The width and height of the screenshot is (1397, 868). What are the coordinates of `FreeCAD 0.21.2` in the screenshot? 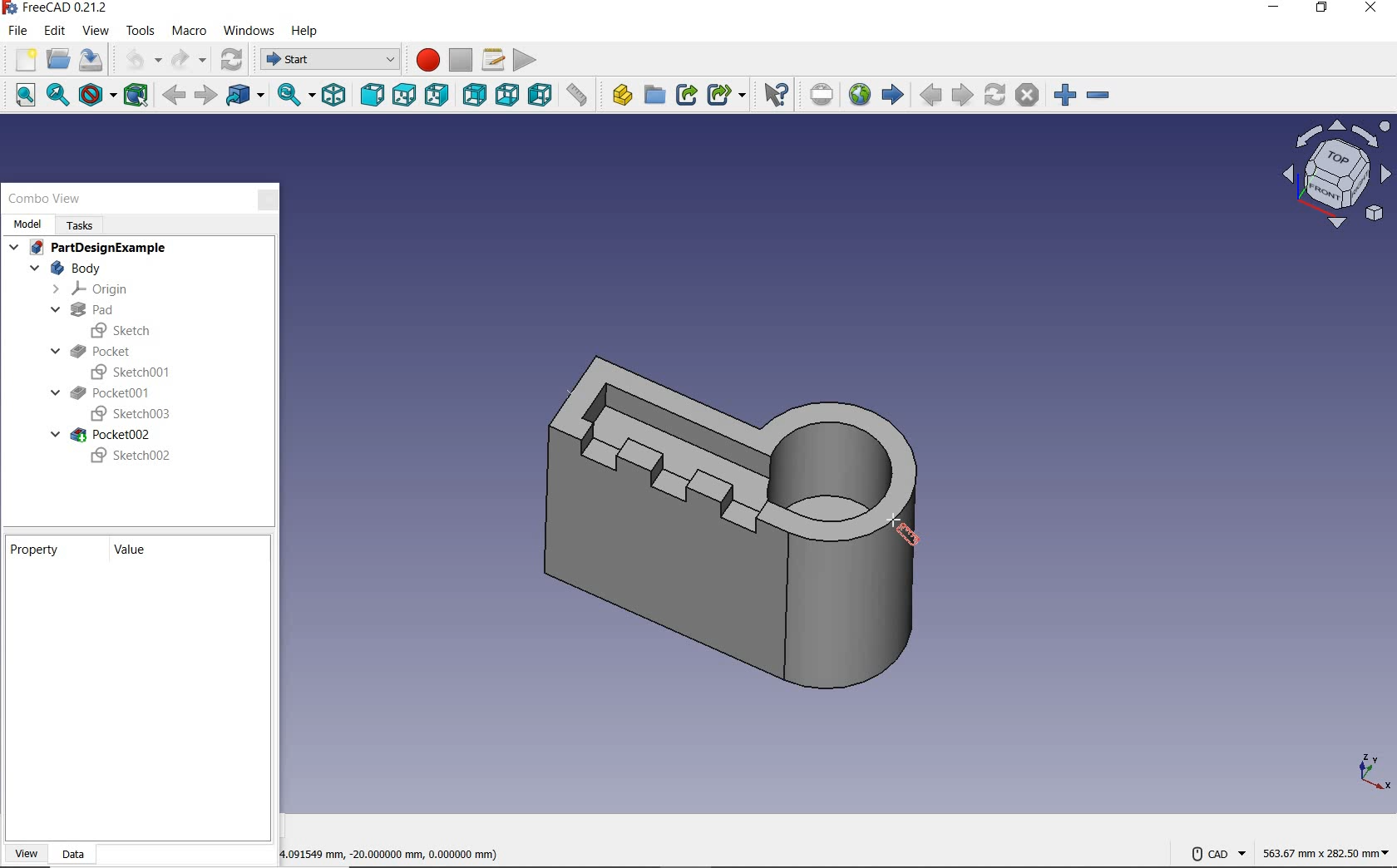 It's located at (57, 9).